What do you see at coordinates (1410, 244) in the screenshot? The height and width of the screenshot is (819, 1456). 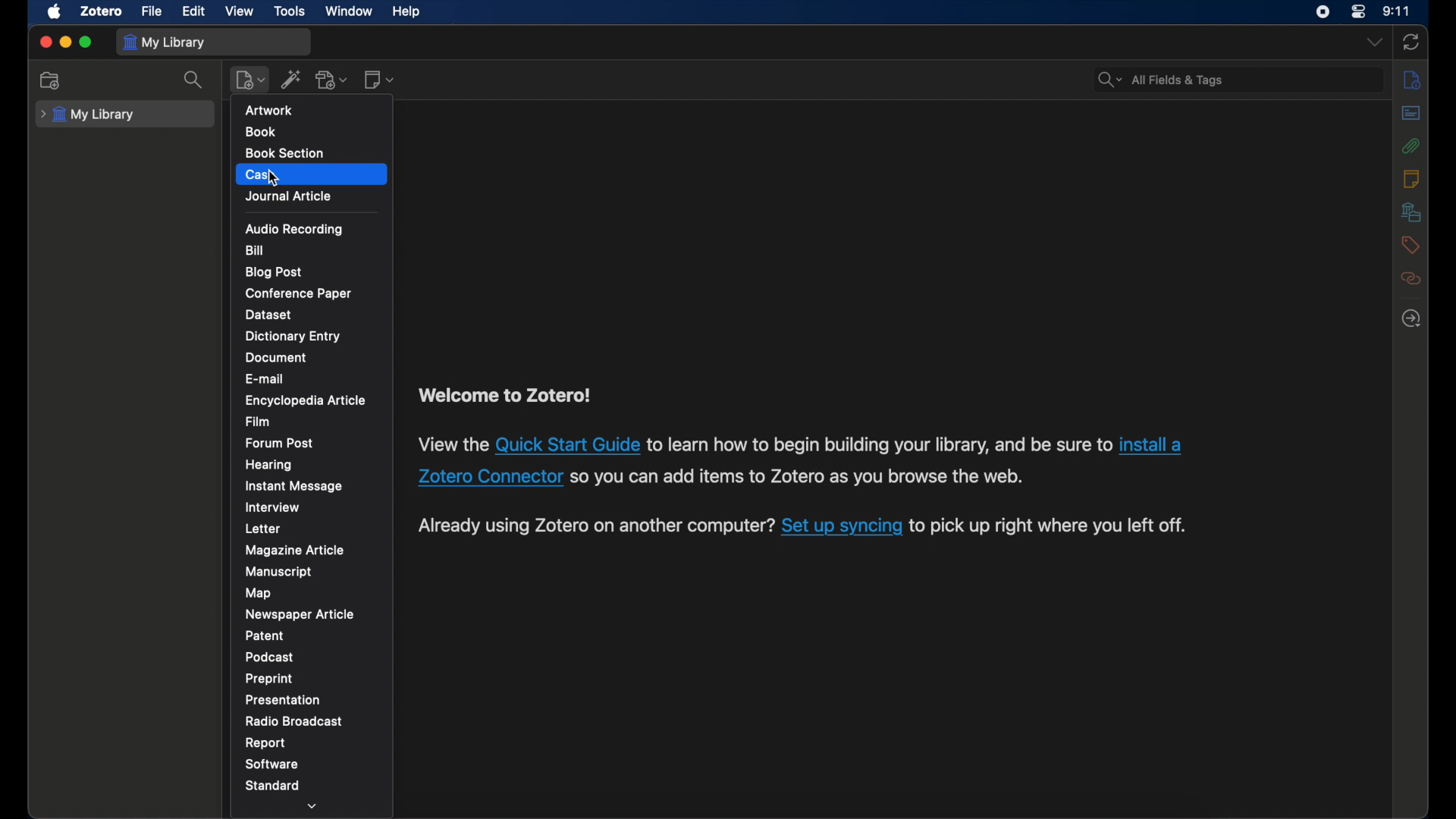 I see `tags` at bounding box center [1410, 244].